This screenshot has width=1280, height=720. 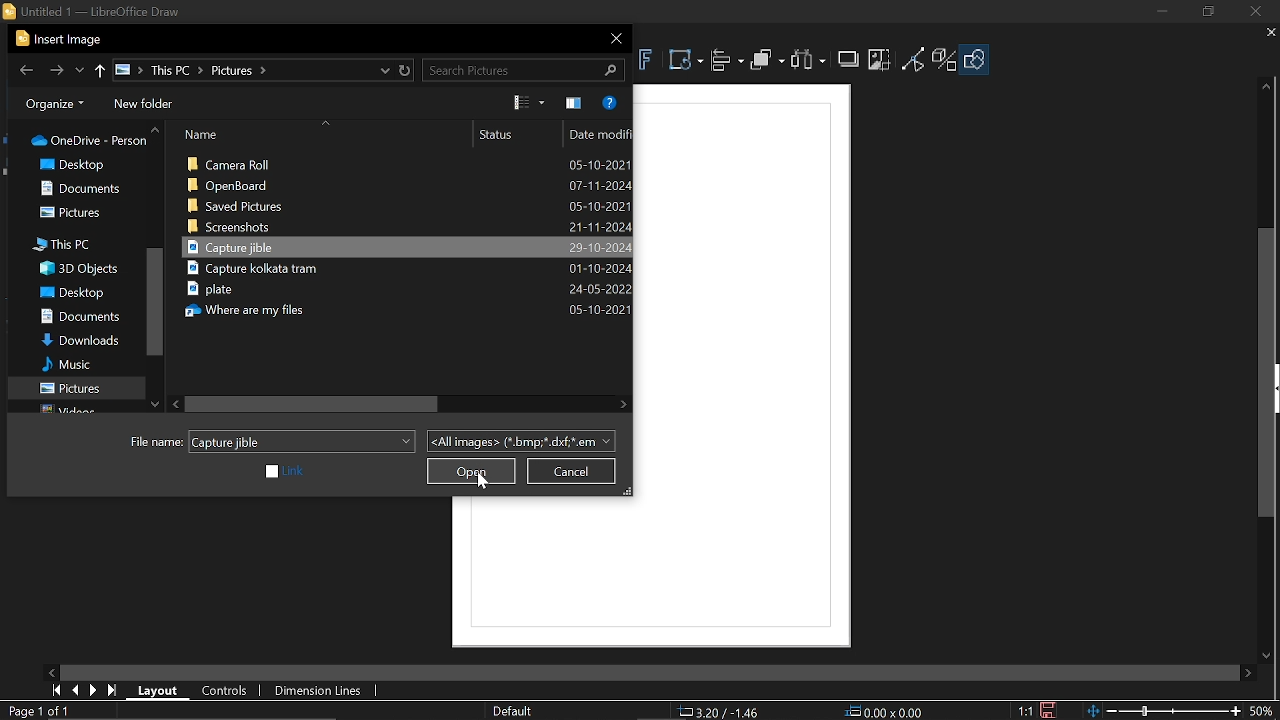 What do you see at coordinates (1161, 15) in the screenshot?
I see `Minimize` at bounding box center [1161, 15].